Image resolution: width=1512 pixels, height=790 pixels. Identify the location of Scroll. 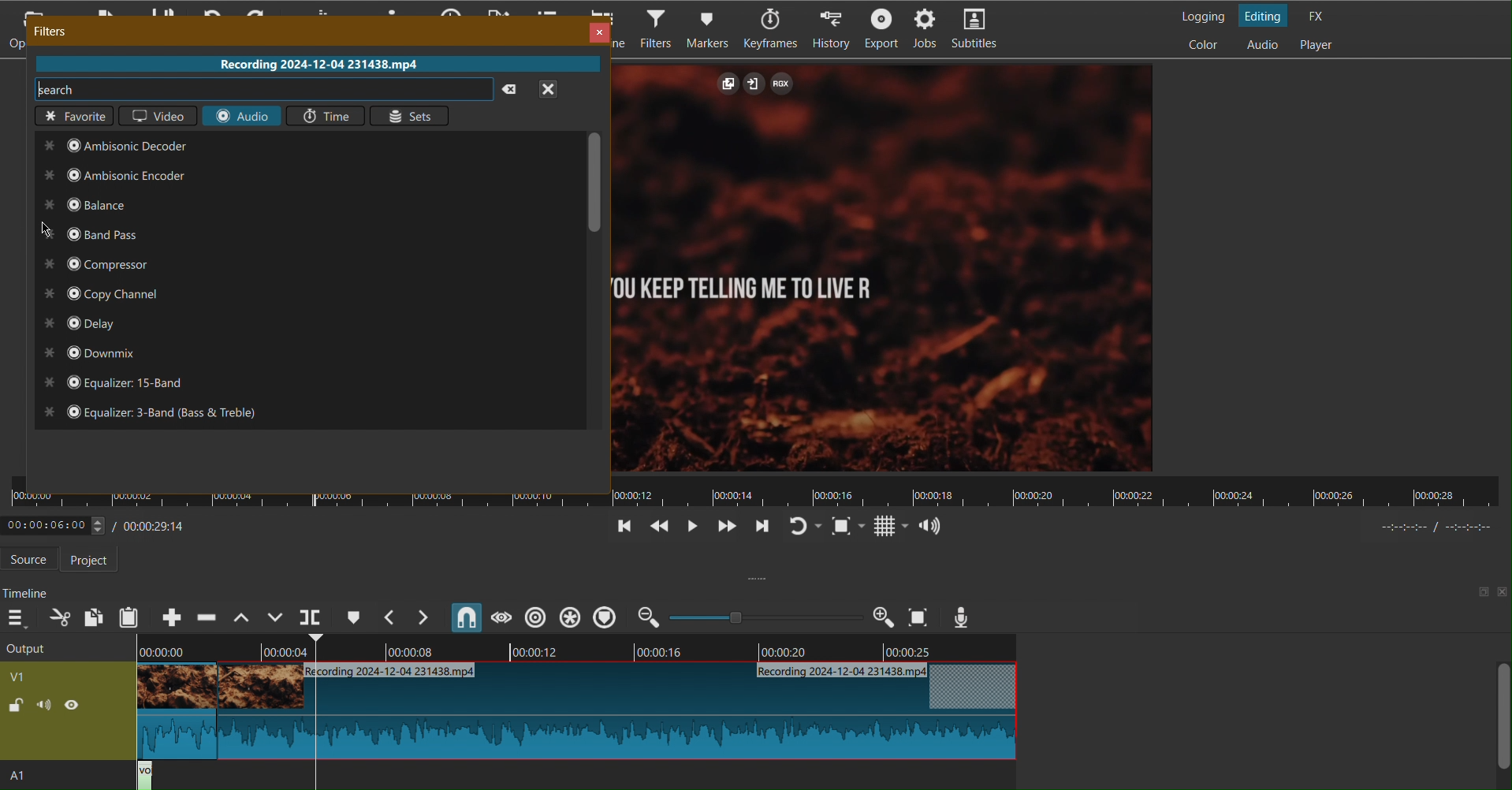
(1499, 724).